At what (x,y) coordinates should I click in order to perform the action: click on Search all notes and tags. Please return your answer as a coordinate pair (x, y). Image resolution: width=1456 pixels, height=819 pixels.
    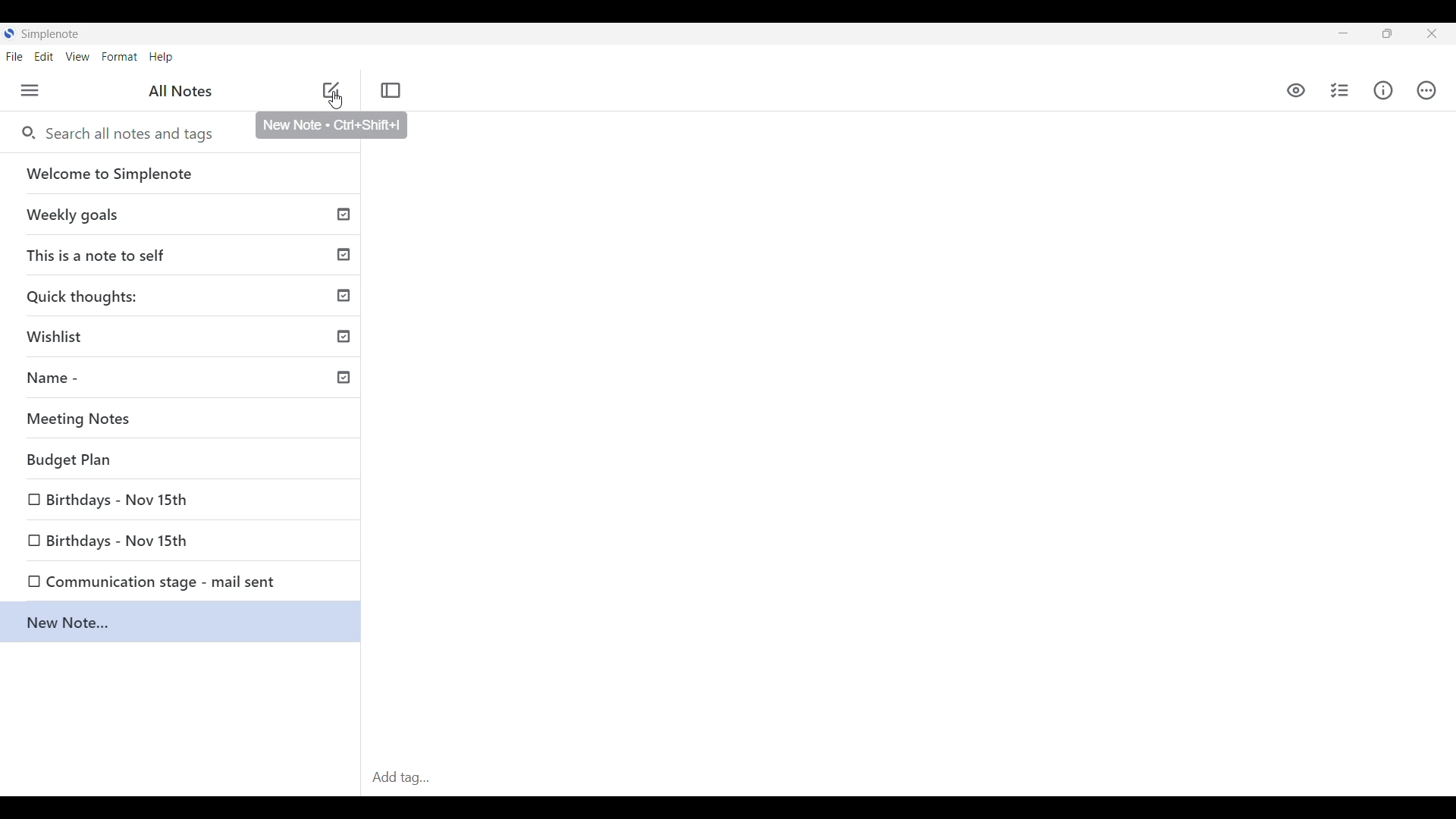
    Looking at the image, I should click on (130, 133).